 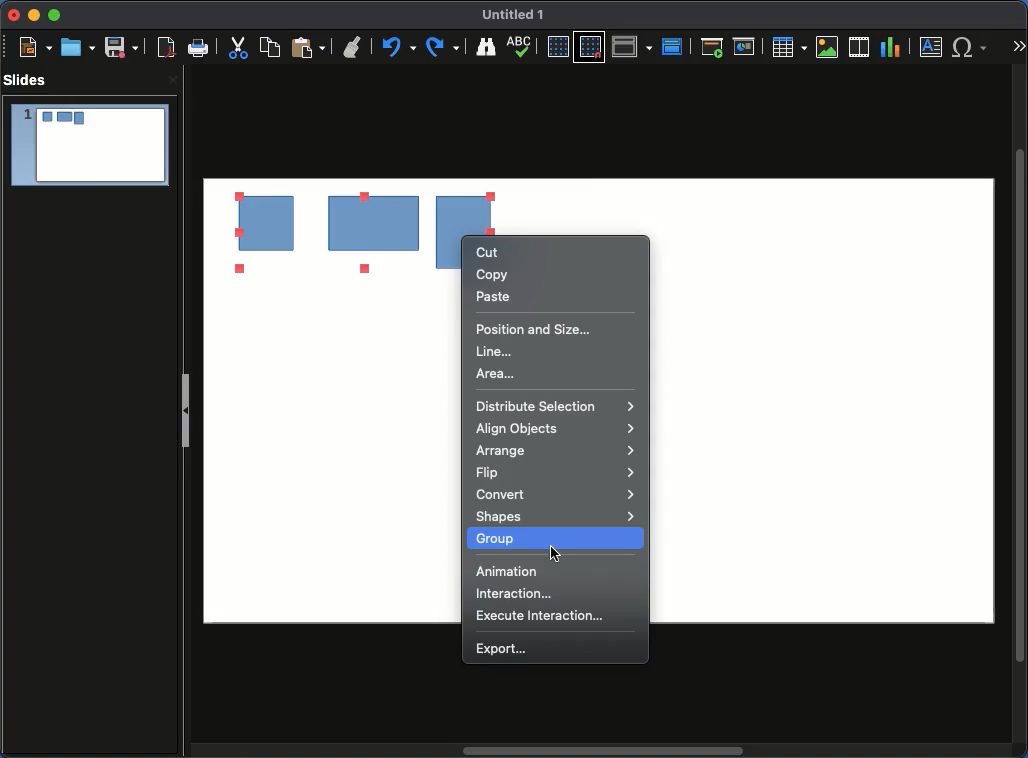 I want to click on Table, so click(x=790, y=47).